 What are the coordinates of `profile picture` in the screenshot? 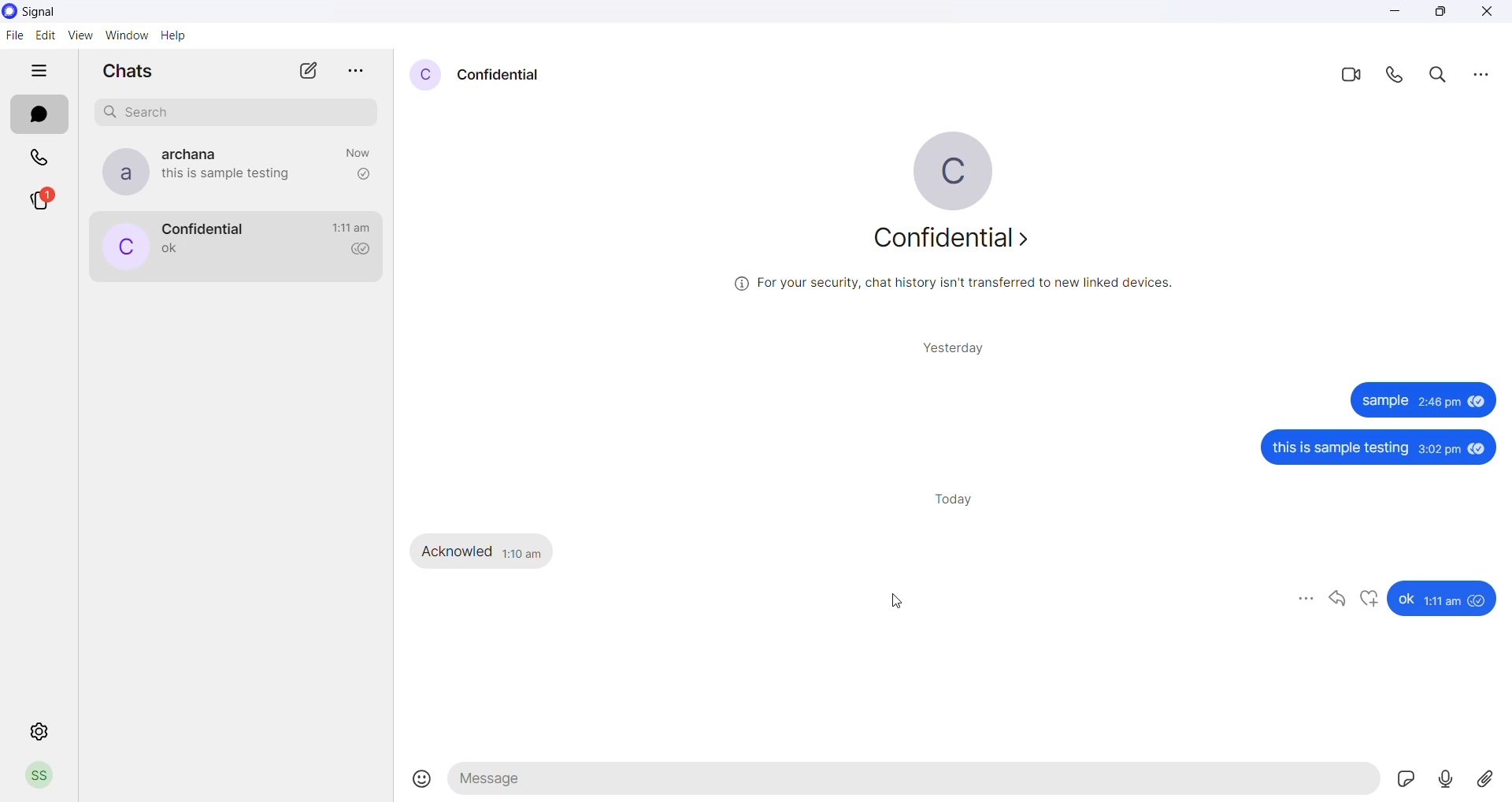 It's located at (965, 171).